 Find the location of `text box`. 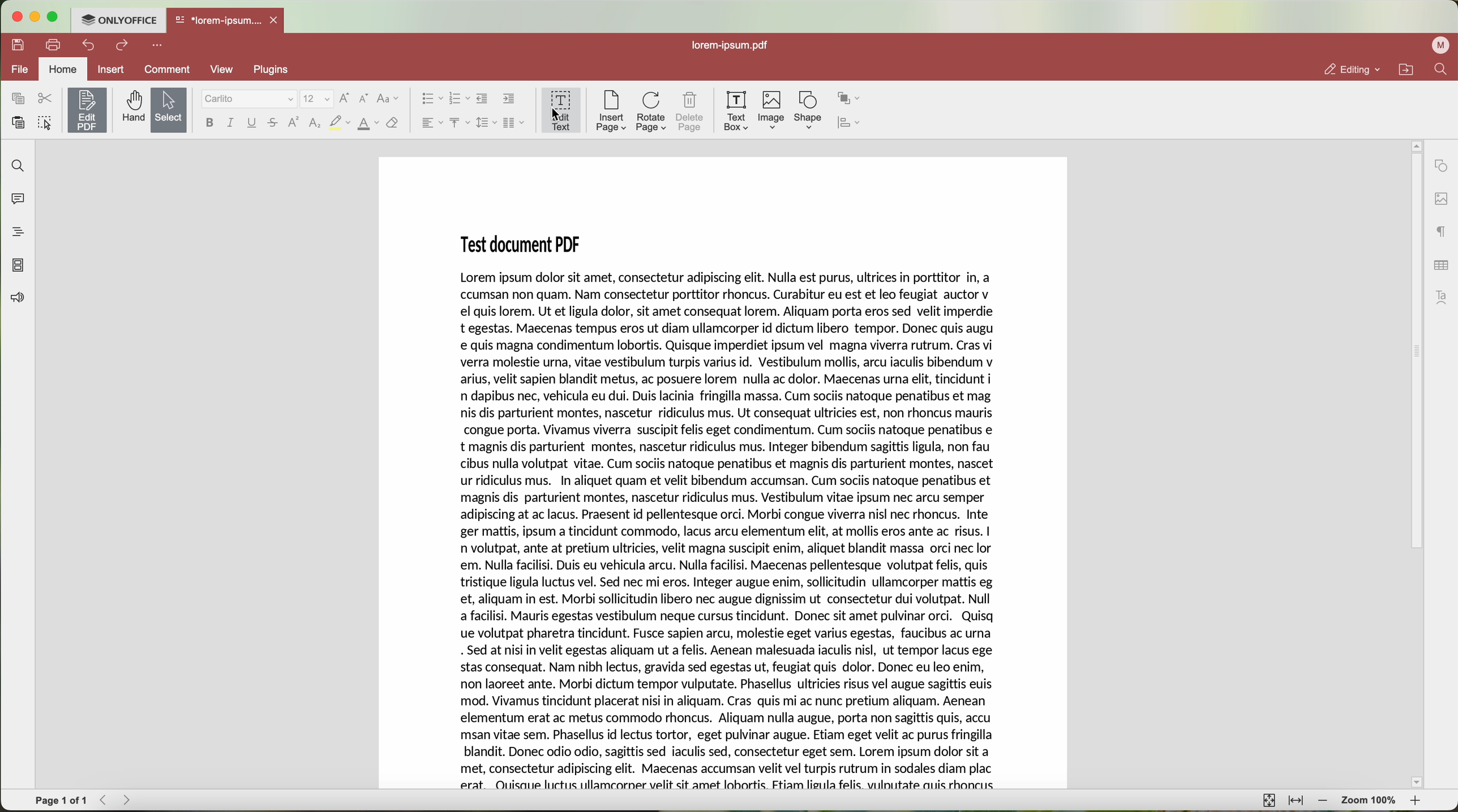

text box is located at coordinates (736, 112).